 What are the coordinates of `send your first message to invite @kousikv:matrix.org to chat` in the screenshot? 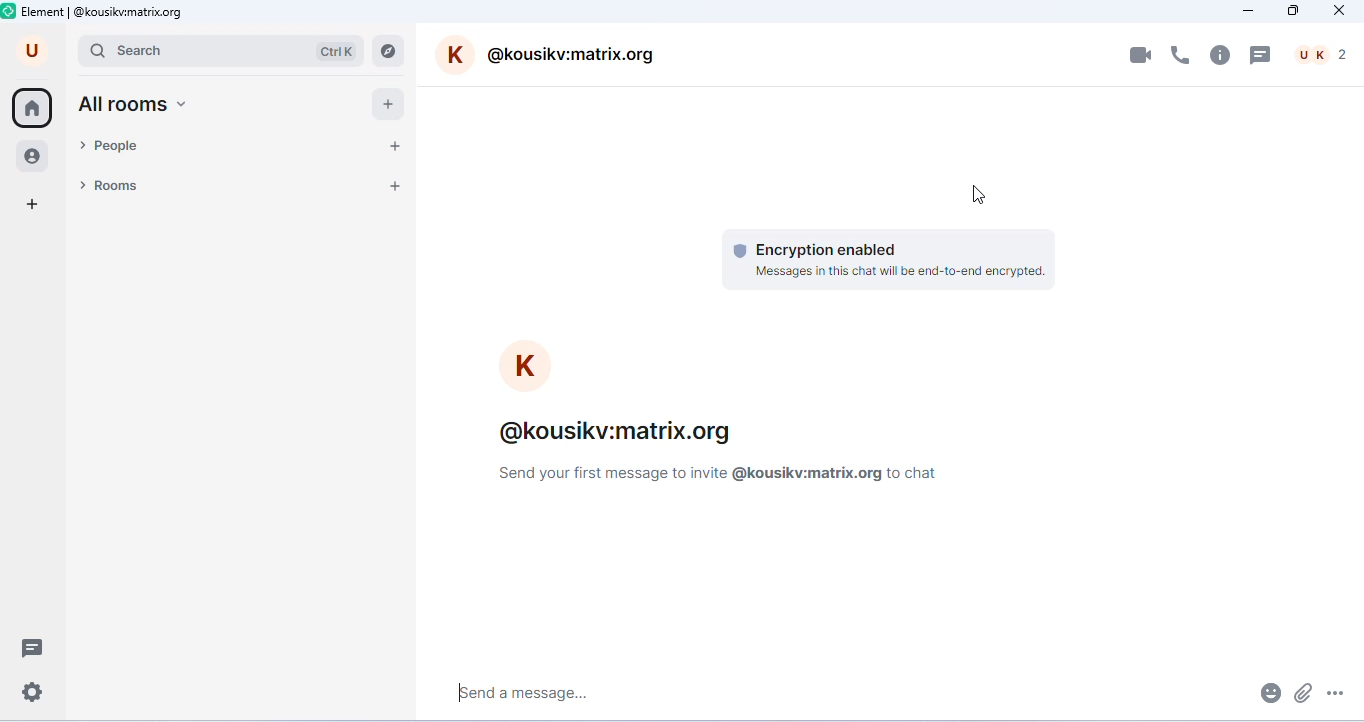 It's located at (723, 474).